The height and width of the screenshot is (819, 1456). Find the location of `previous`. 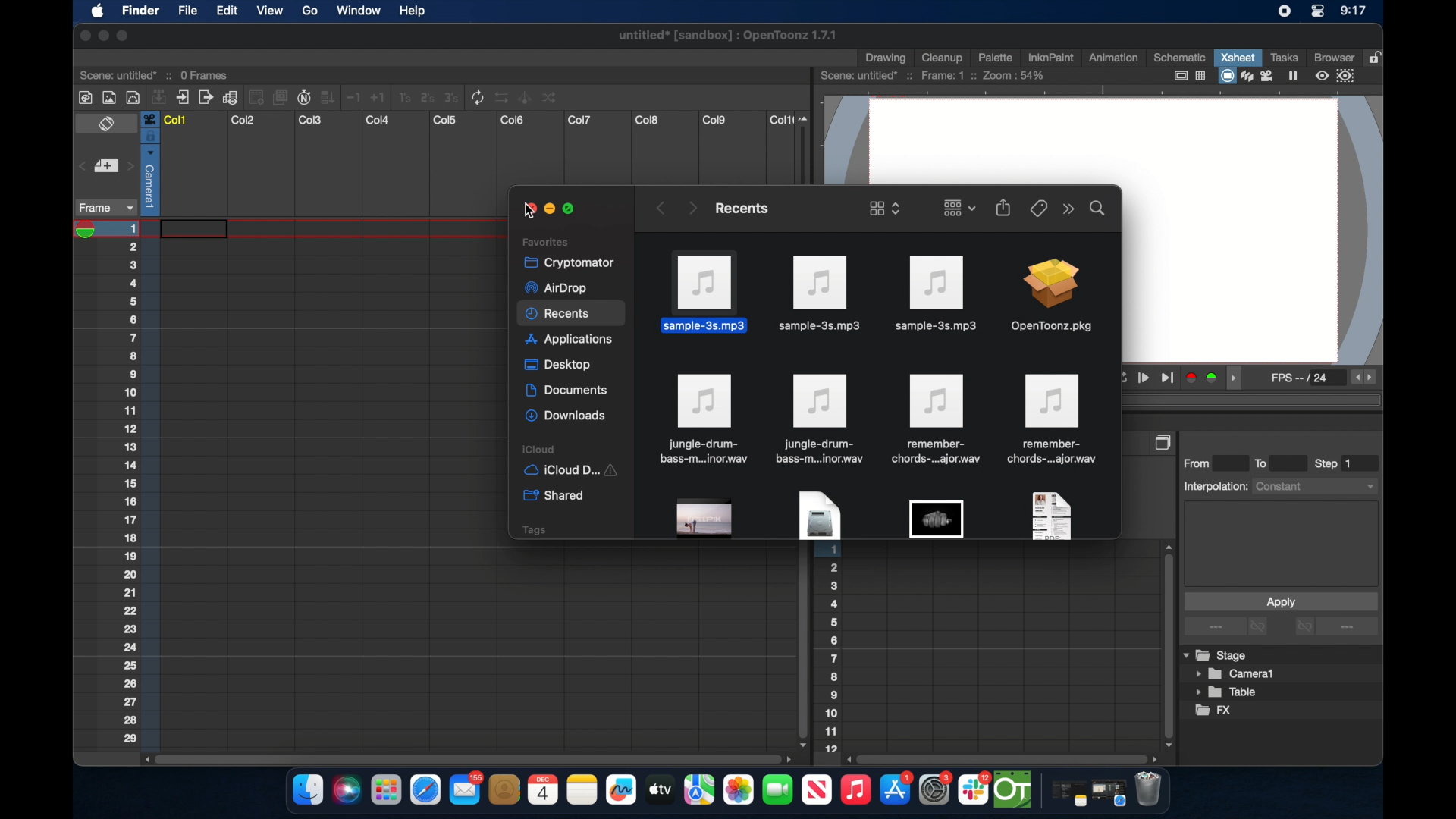

previous is located at coordinates (659, 208).